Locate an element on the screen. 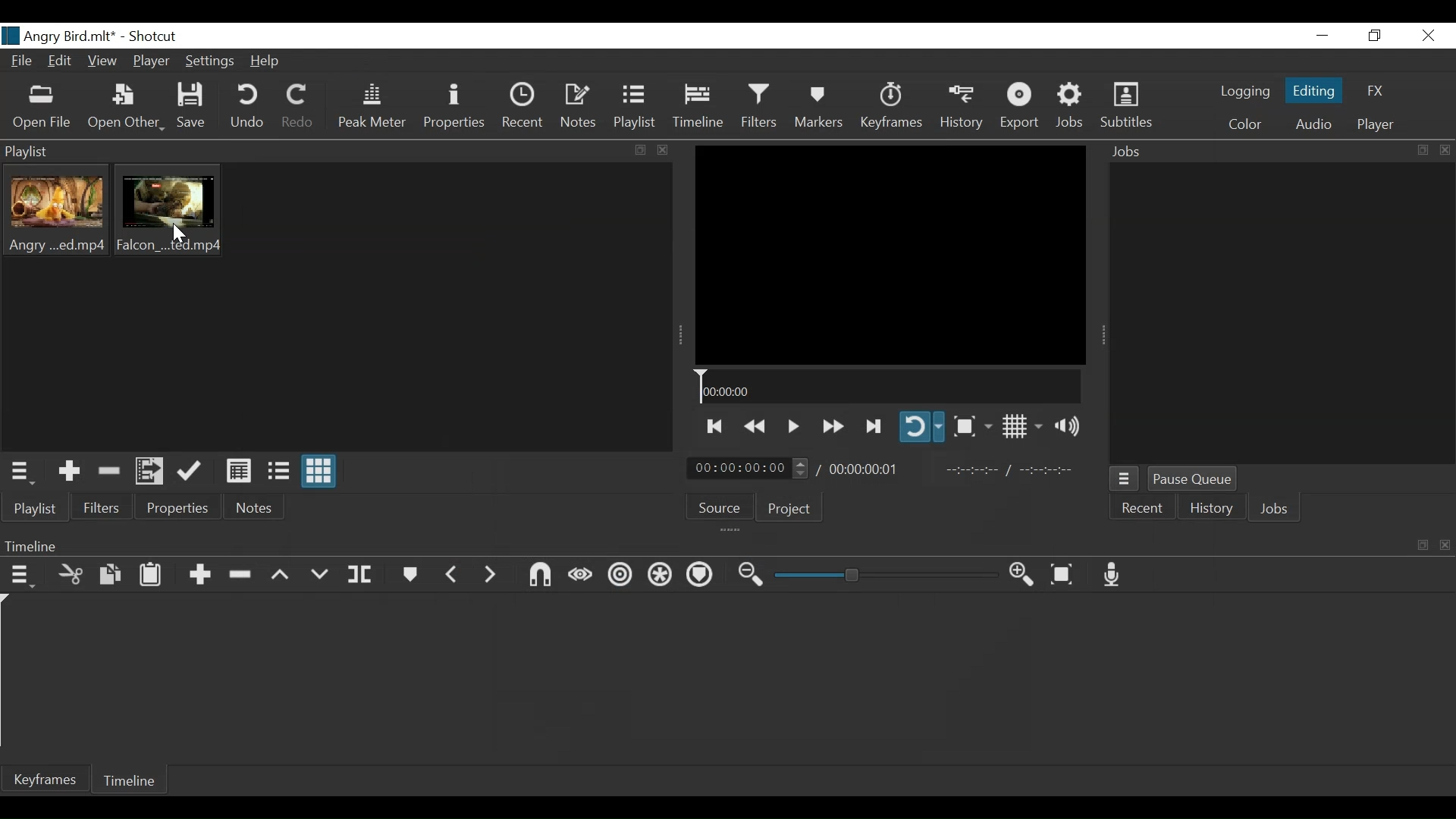 This screenshot has height=819, width=1456. Remove Cut is located at coordinates (111, 471).